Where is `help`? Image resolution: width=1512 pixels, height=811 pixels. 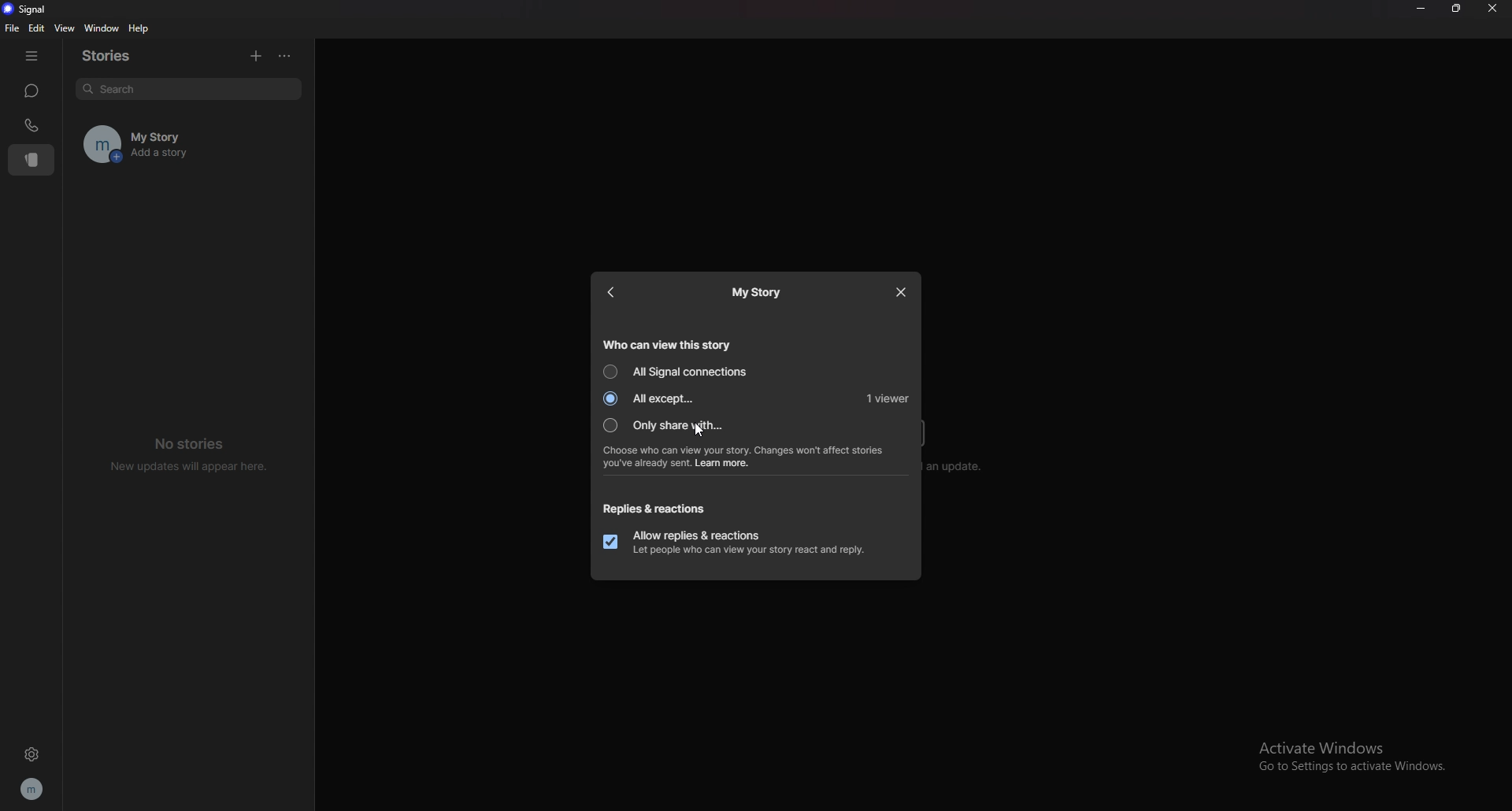
help is located at coordinates (139, 29).